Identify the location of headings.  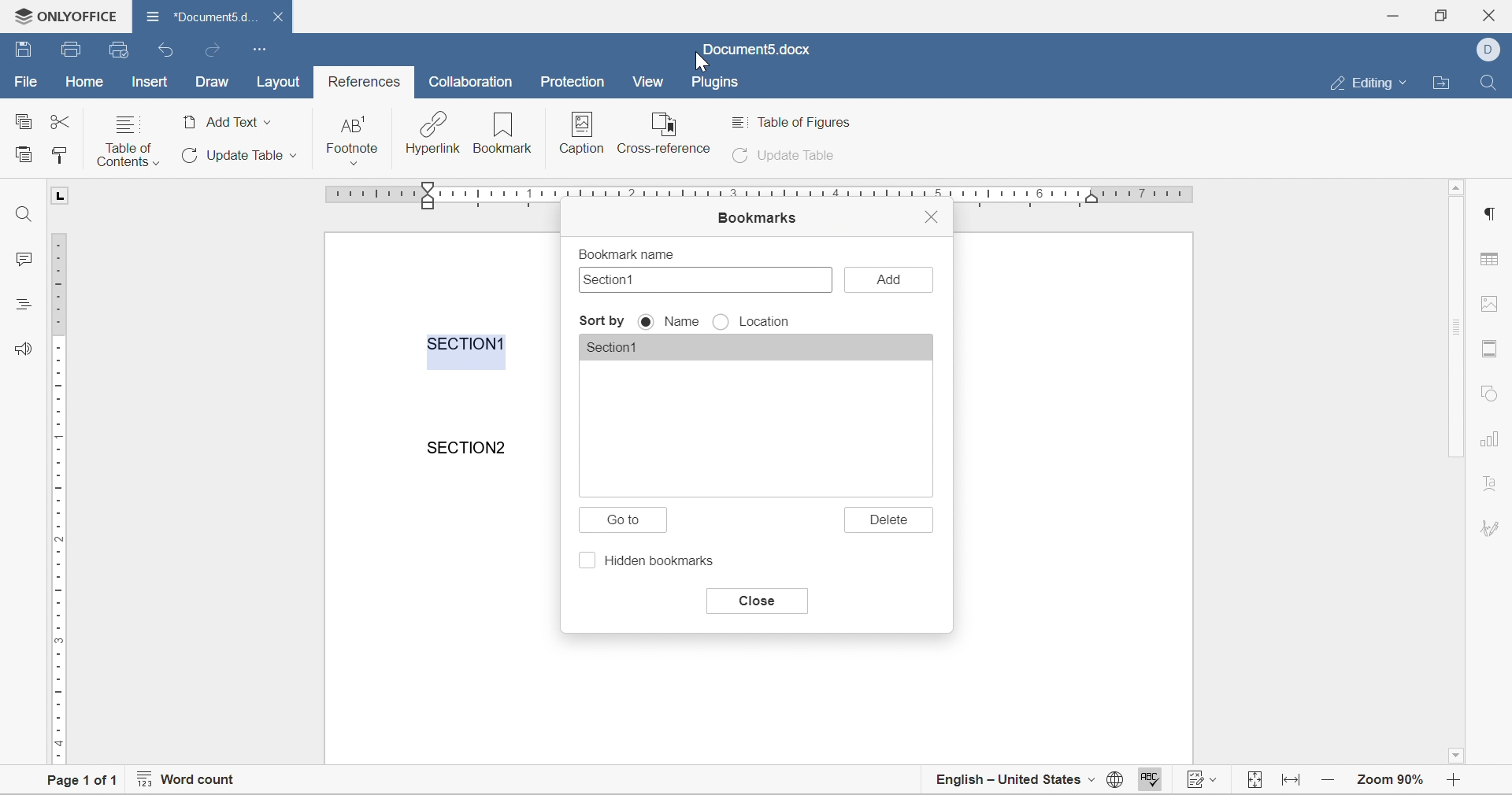
(21, 302).